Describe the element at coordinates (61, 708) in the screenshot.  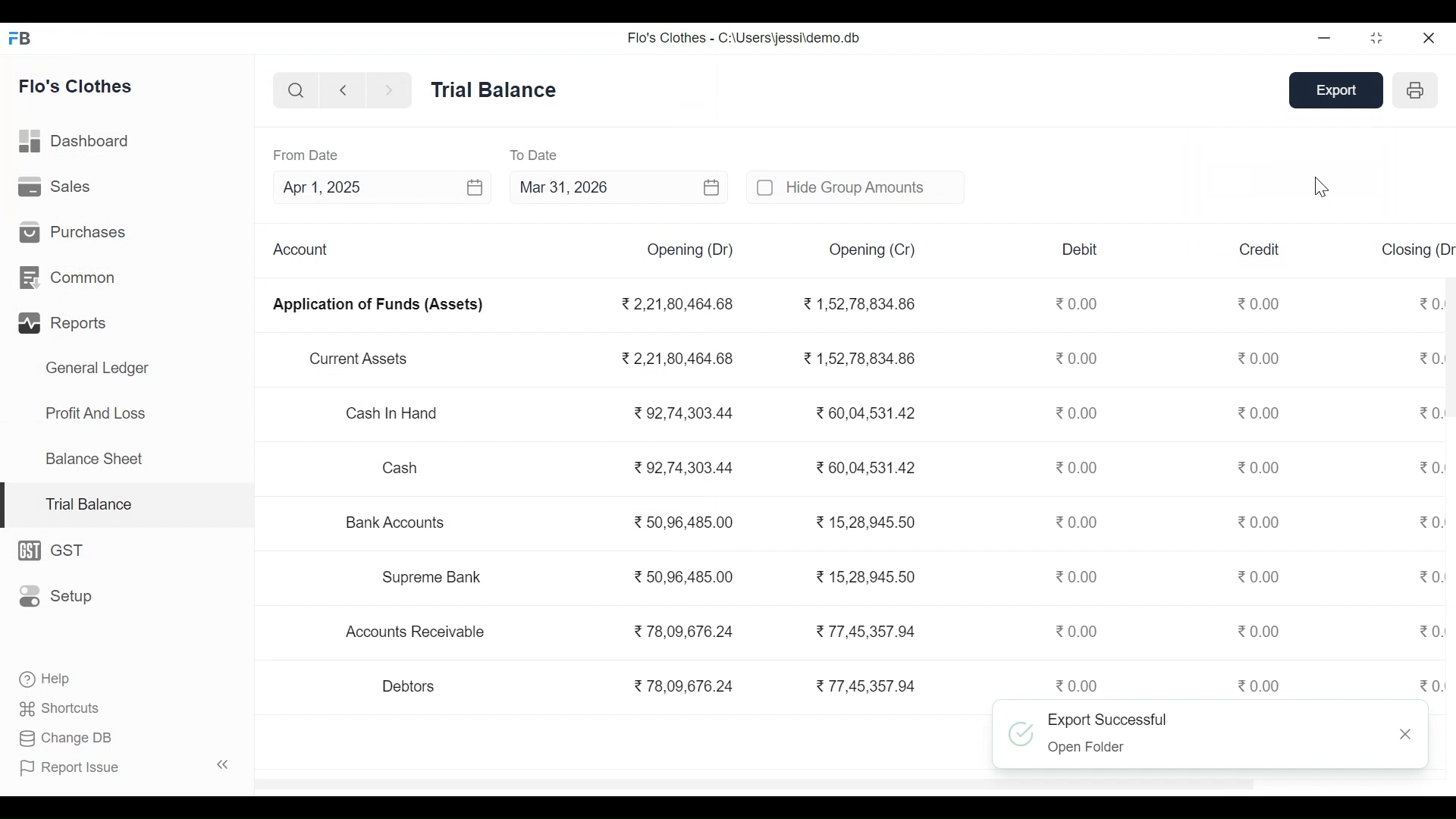
I see `Shortcuts` at that location.